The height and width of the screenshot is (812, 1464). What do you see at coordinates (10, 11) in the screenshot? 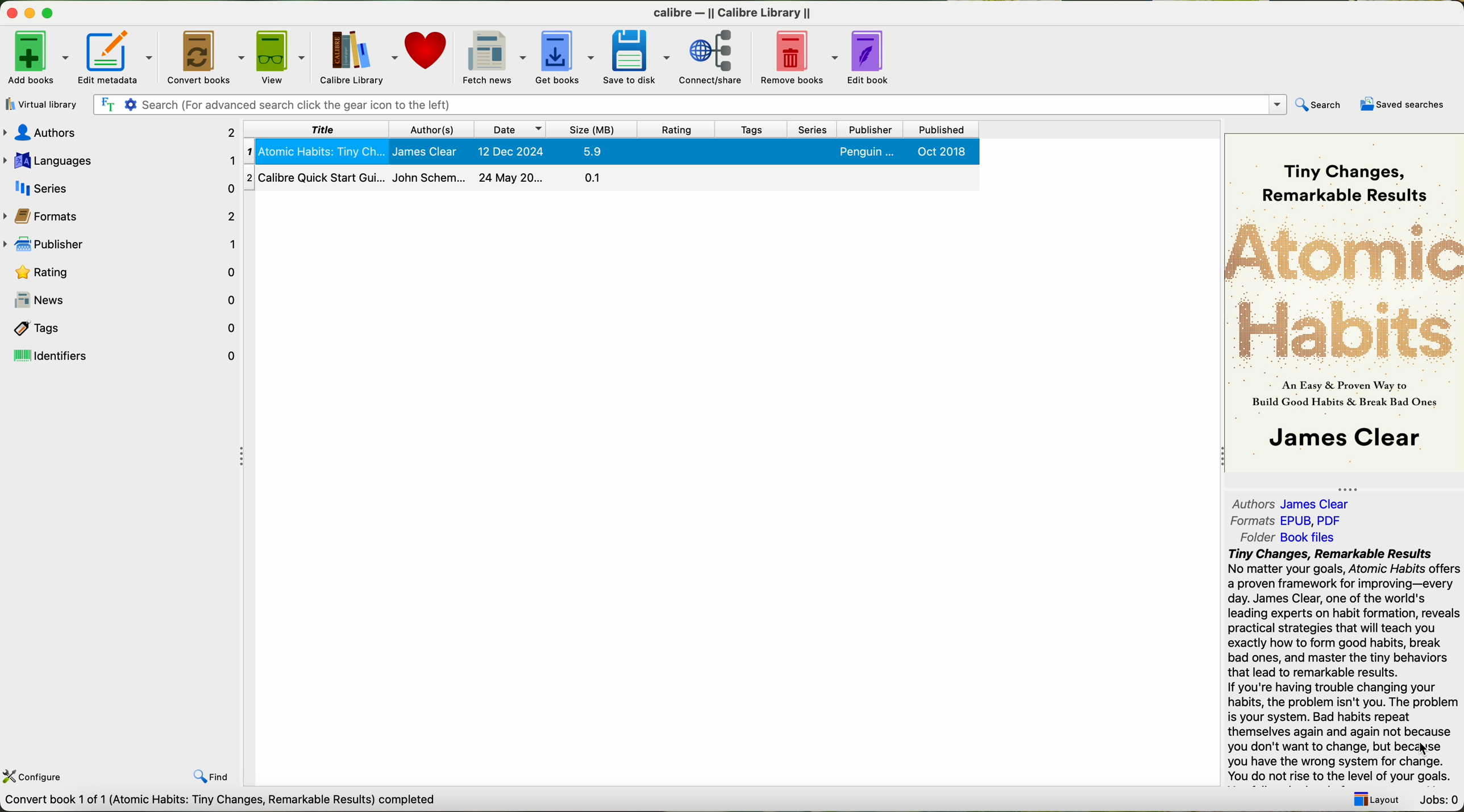
I see `close program` at bounding box center [10, 11].